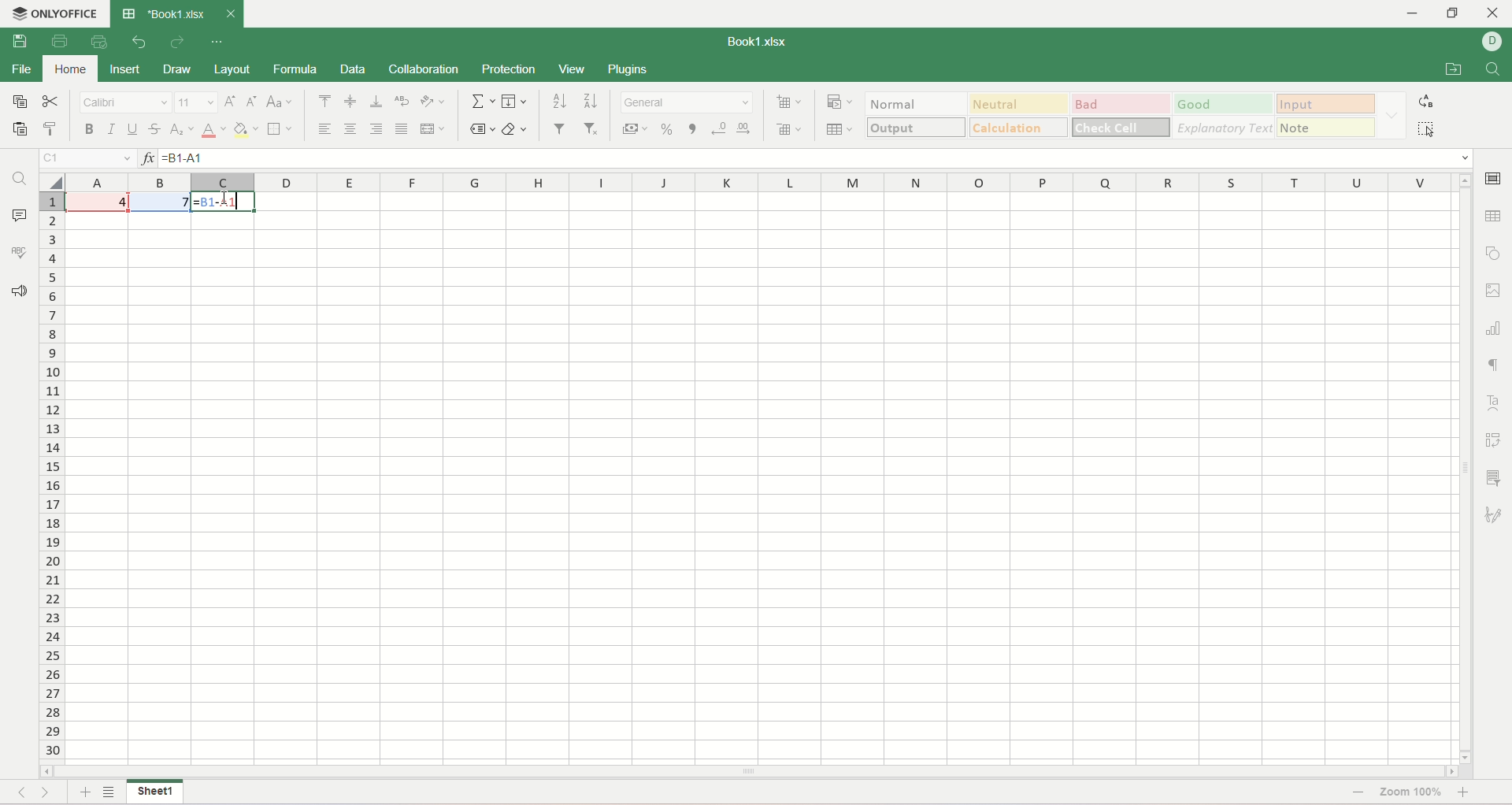 The height and width of the screenshot is (805, 1512). I want to click on sort descending, so click(588, 101).